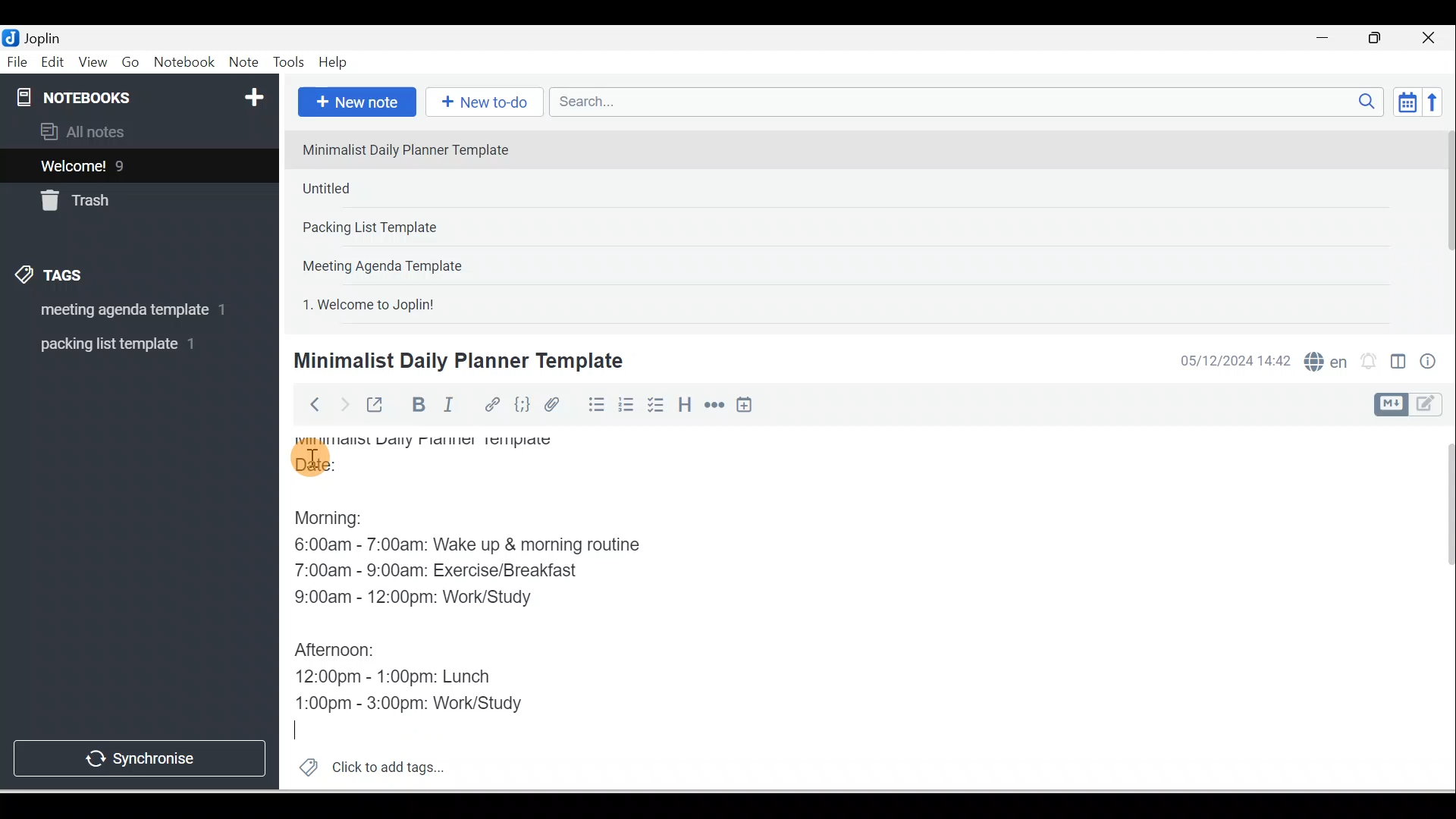 This screenshot has width=1456, height=819. Describe the element at coordinates (451, 407) in the screenshot. I see `Italic` at that location.